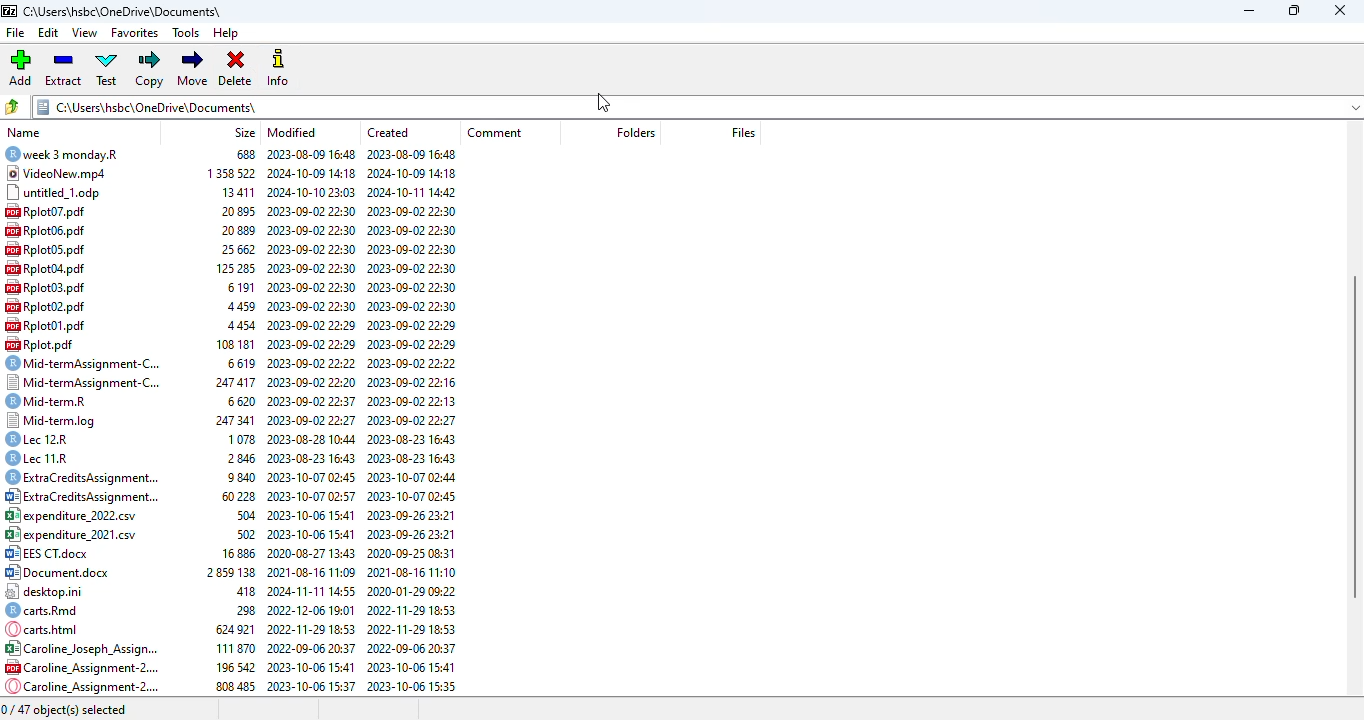 The width and height of the screenshot is (1364, 720). Describe the element at coordinates (311, 648) in the screenshot. I see `2022-09-06 20:37` at that location.